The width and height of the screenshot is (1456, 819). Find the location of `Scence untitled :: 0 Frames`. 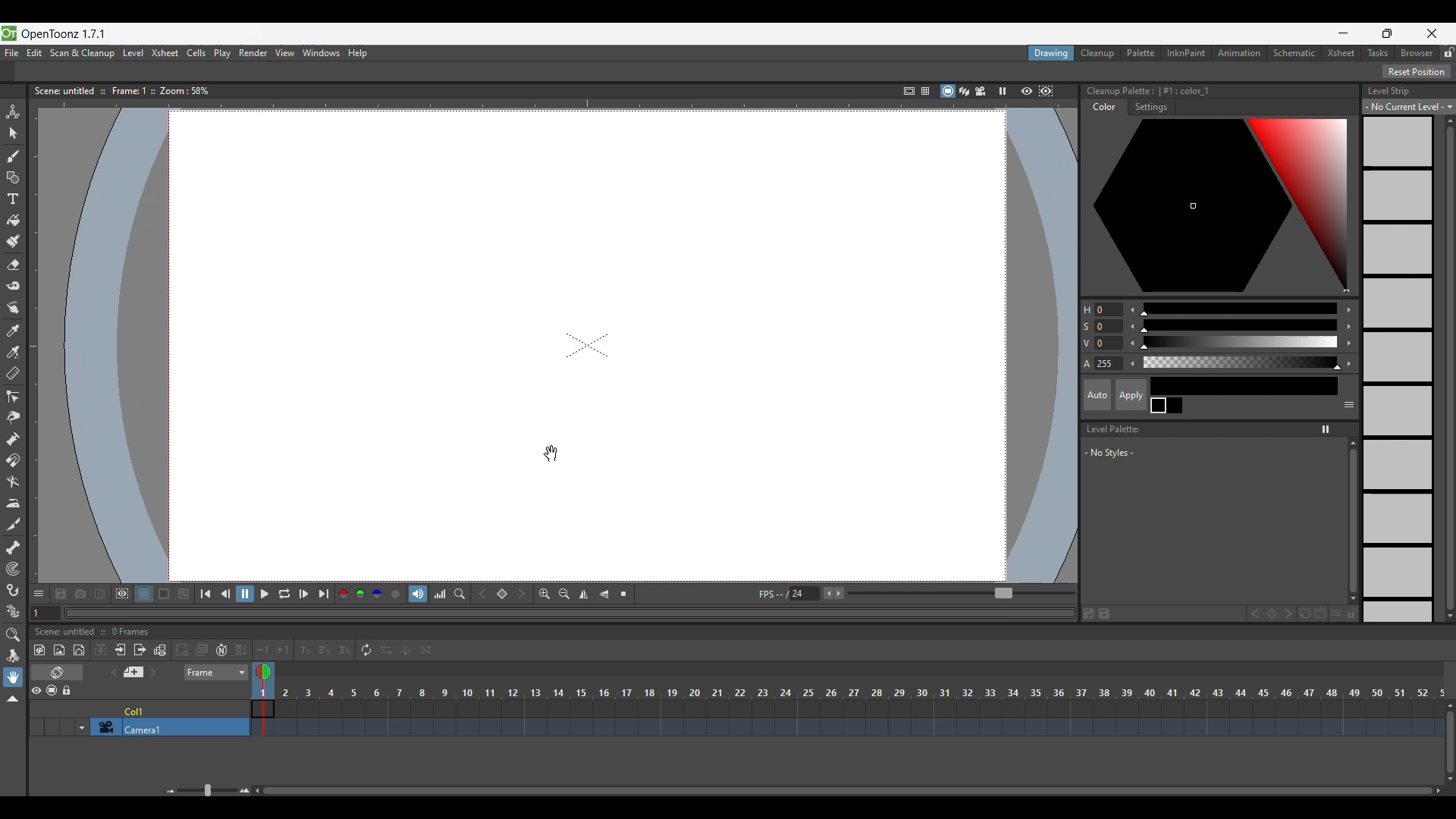

Scence untitled :: 0 Frames is located at coordinates (89, 632).